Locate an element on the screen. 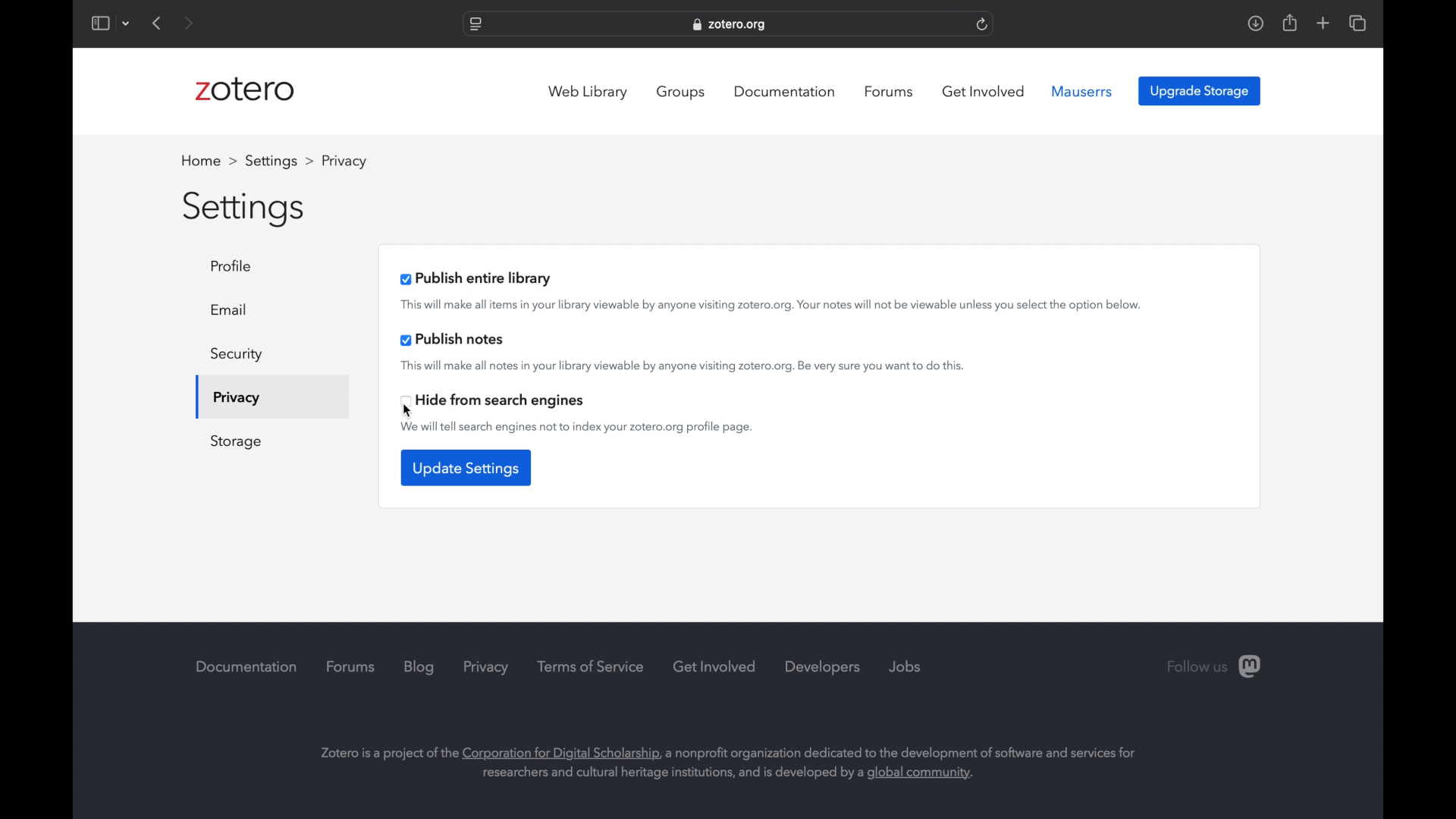 This screenshot has height=819, width=1456. settings is located at coordinates (279, 161).